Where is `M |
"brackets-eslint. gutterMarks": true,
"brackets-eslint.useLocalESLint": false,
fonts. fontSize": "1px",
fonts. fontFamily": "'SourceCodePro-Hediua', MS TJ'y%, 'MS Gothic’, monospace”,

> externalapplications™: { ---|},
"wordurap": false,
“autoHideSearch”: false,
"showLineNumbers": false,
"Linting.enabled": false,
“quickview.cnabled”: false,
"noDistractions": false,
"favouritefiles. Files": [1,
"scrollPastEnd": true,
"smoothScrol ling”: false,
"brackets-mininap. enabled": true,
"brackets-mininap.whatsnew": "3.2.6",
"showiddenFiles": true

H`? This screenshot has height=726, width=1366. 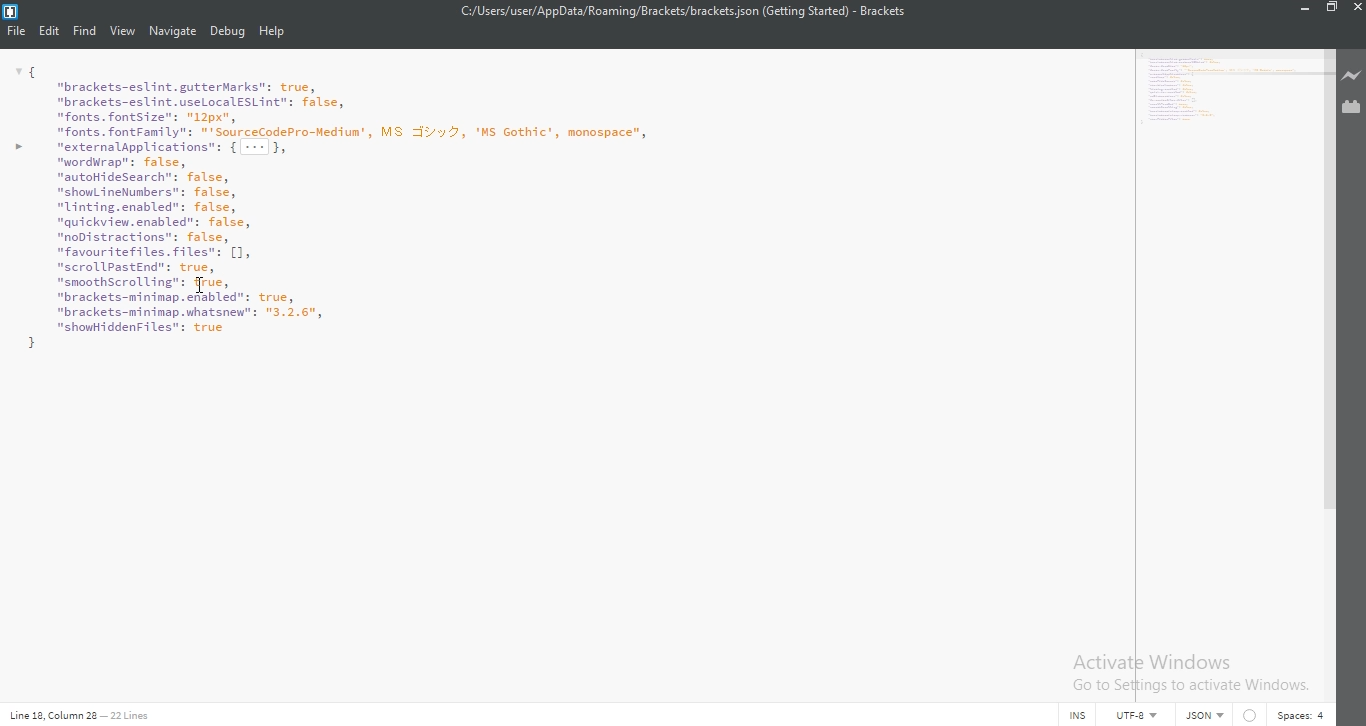
M |
"brackets-eslint. gutterMarks": true,
"brackets-eslint.useLocalESLint": false,
fonts. fontSize": "1px",
fonts. fontFamily": "'SourceCodePro-Hediua', MS TJ'y%, 'MS Gothic’, monospace”,

> externalapplications™: { ---|},
"wordurap": false,
“autoHideSearch”: false,
"showLineNumbers": false,
"Linting.enabled": false,
“quickview.cnabled”: false,
"noDistractions": false,
"favouritefiles. Files": [1,
"scrollPastEnd": true,
"smoothScrol ling”: false,
"brackets-mininap. enabled": true,
"brackets-mininap.whatsnew": "3.2.6",
"showiddenFiles": true

H is located at coordinates (562, 206).